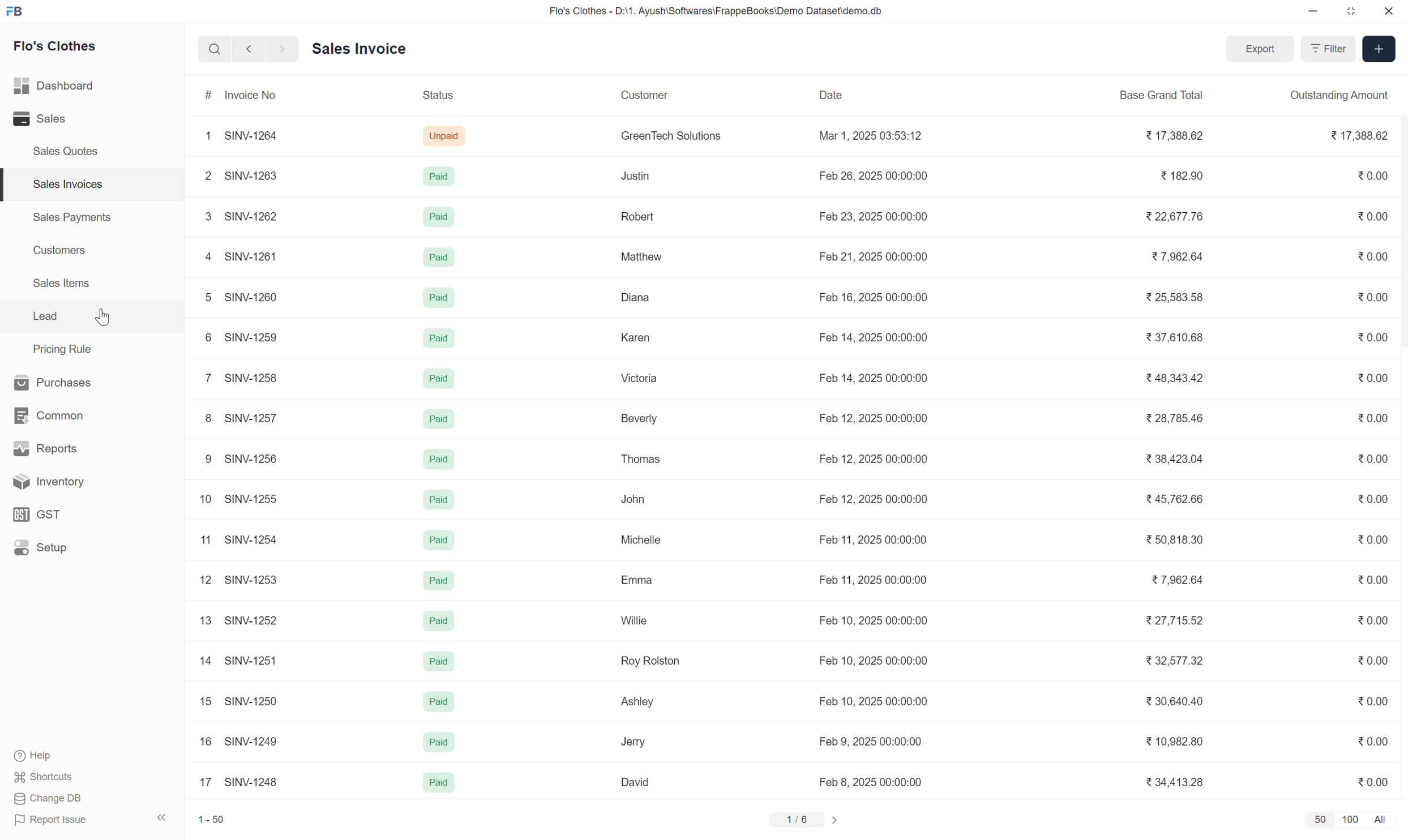  I want to click on Sales Invoices, so click(71, 184).